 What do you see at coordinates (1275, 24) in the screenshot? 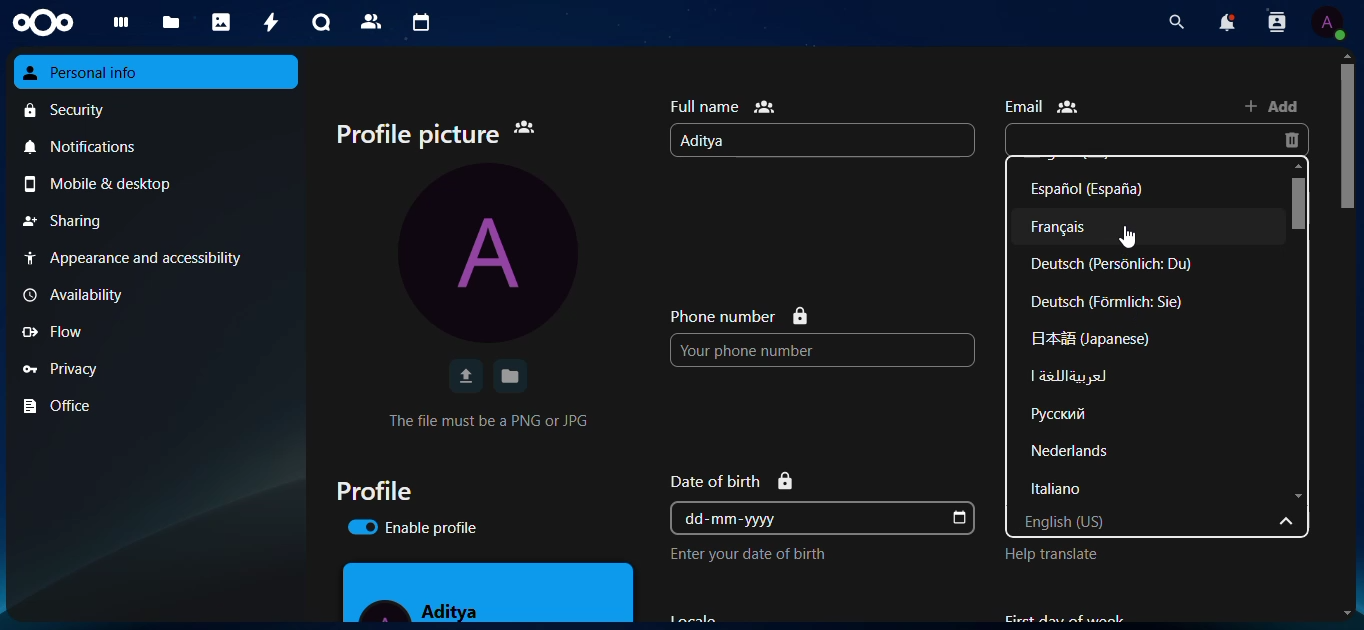
I see `contact` at bounding box center [1275, 24].